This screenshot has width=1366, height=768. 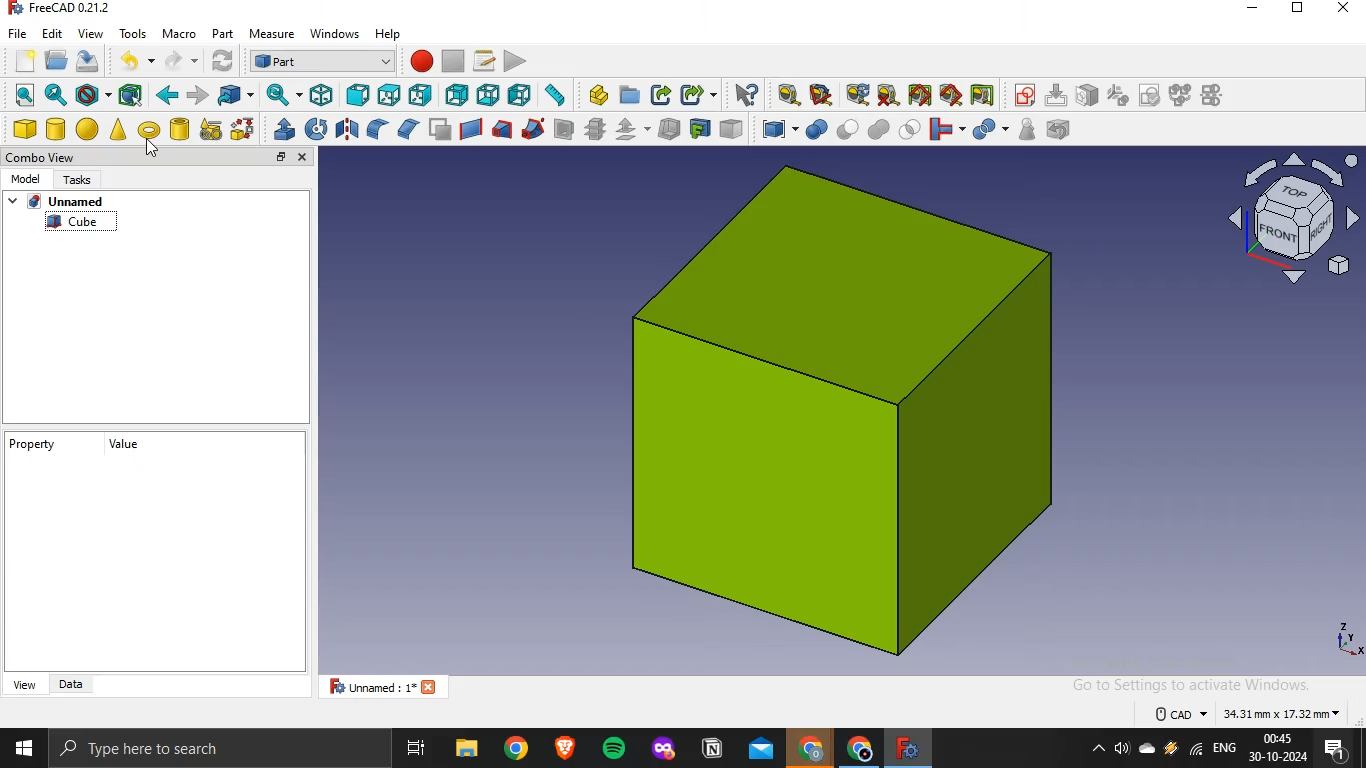 I want to click on create tube, so click(x=178, y=128).